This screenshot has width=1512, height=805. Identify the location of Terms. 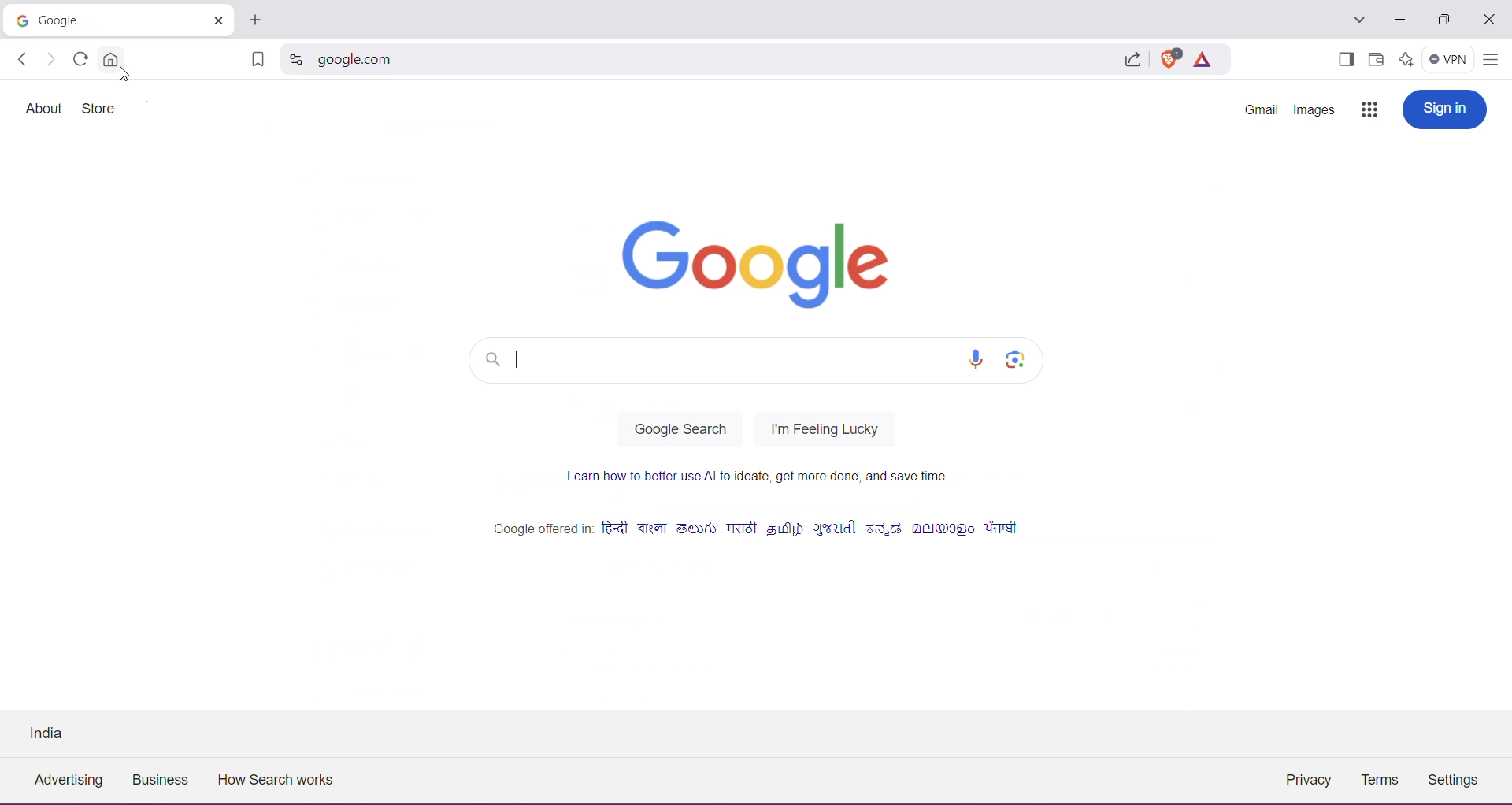
(1380, 781).